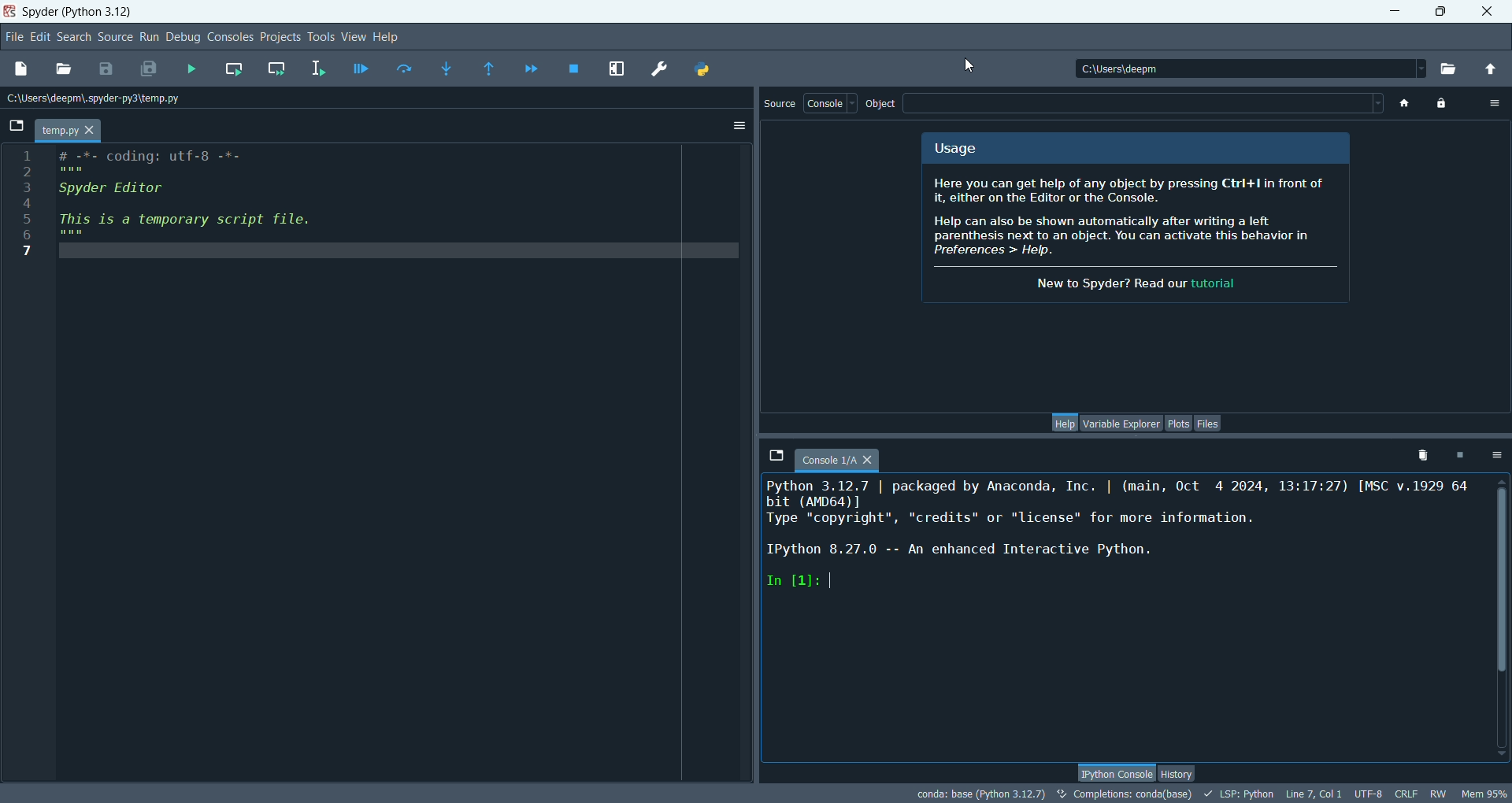 The width and height of the screenshot is (1512, 803). What do you see at coordinates (1492, 103) in the screenshot?
I see `options` at bounding box center [1492, 103].